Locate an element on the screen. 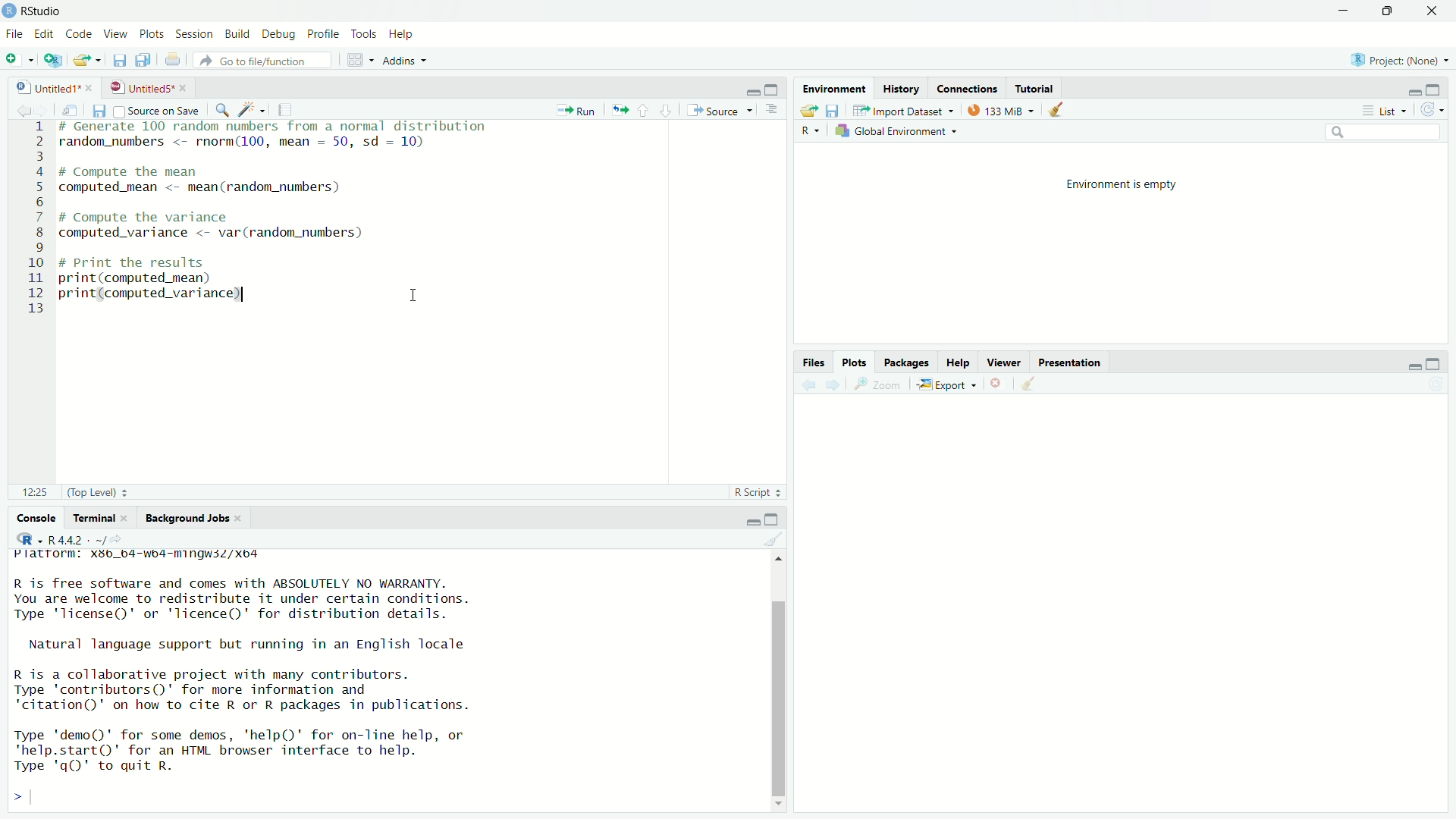 The image size is (1456, 819). file is located at coordinates (14, 35).